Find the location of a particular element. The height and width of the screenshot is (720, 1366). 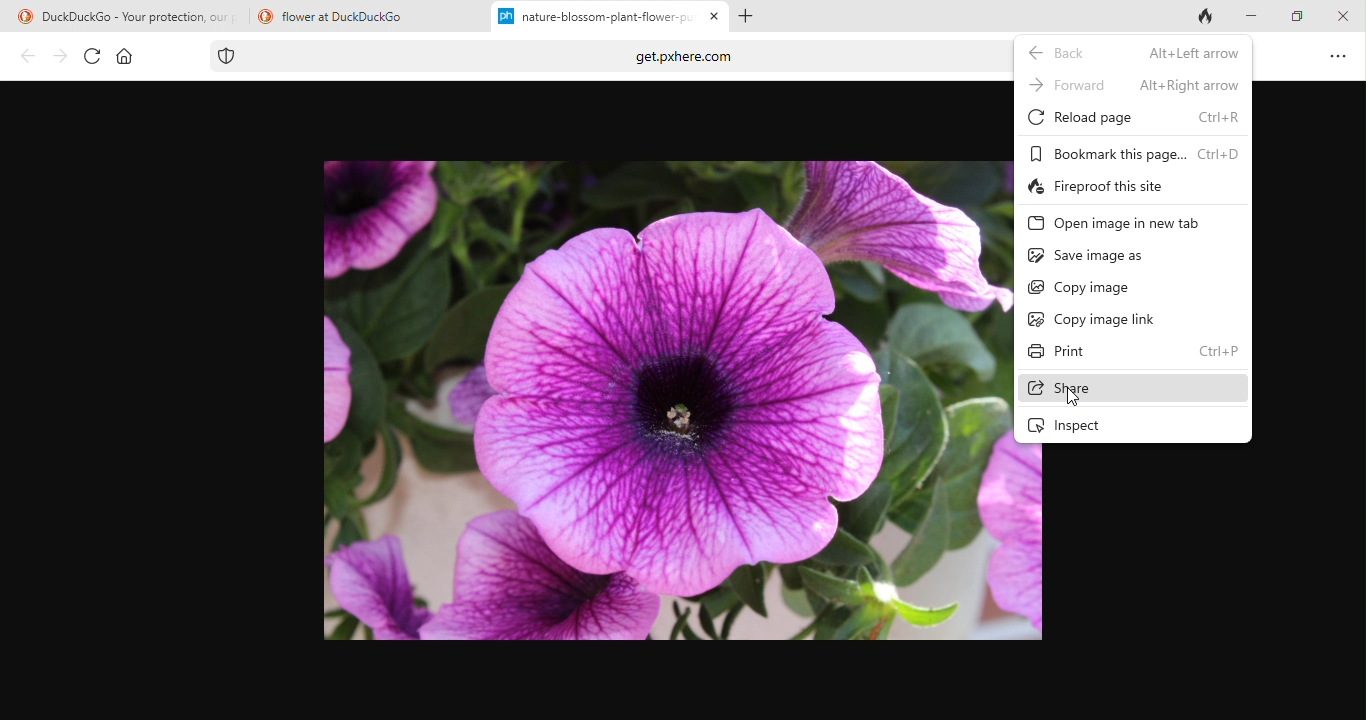

tracking is located at coordinates (231, 56).